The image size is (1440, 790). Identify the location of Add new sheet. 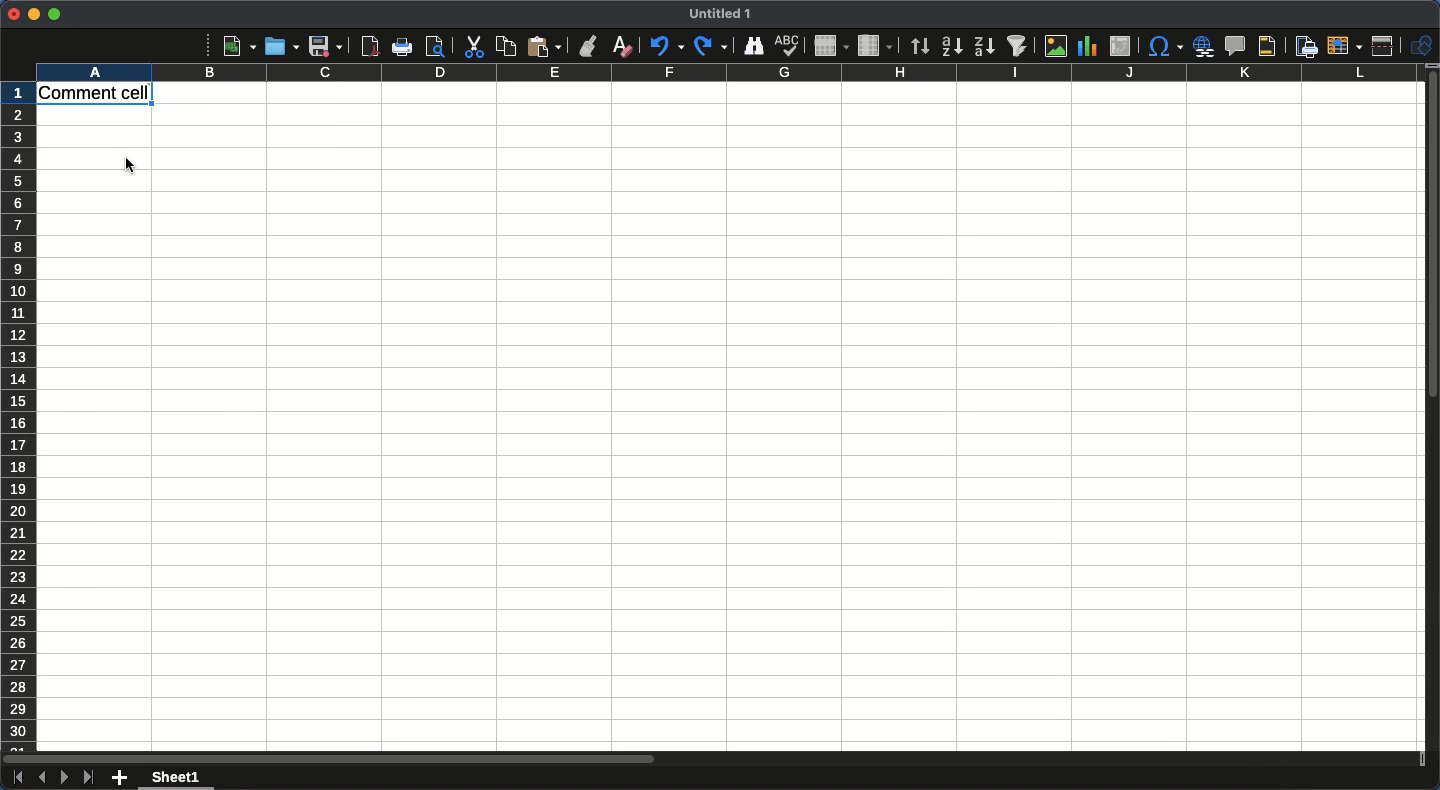
(118, 778).